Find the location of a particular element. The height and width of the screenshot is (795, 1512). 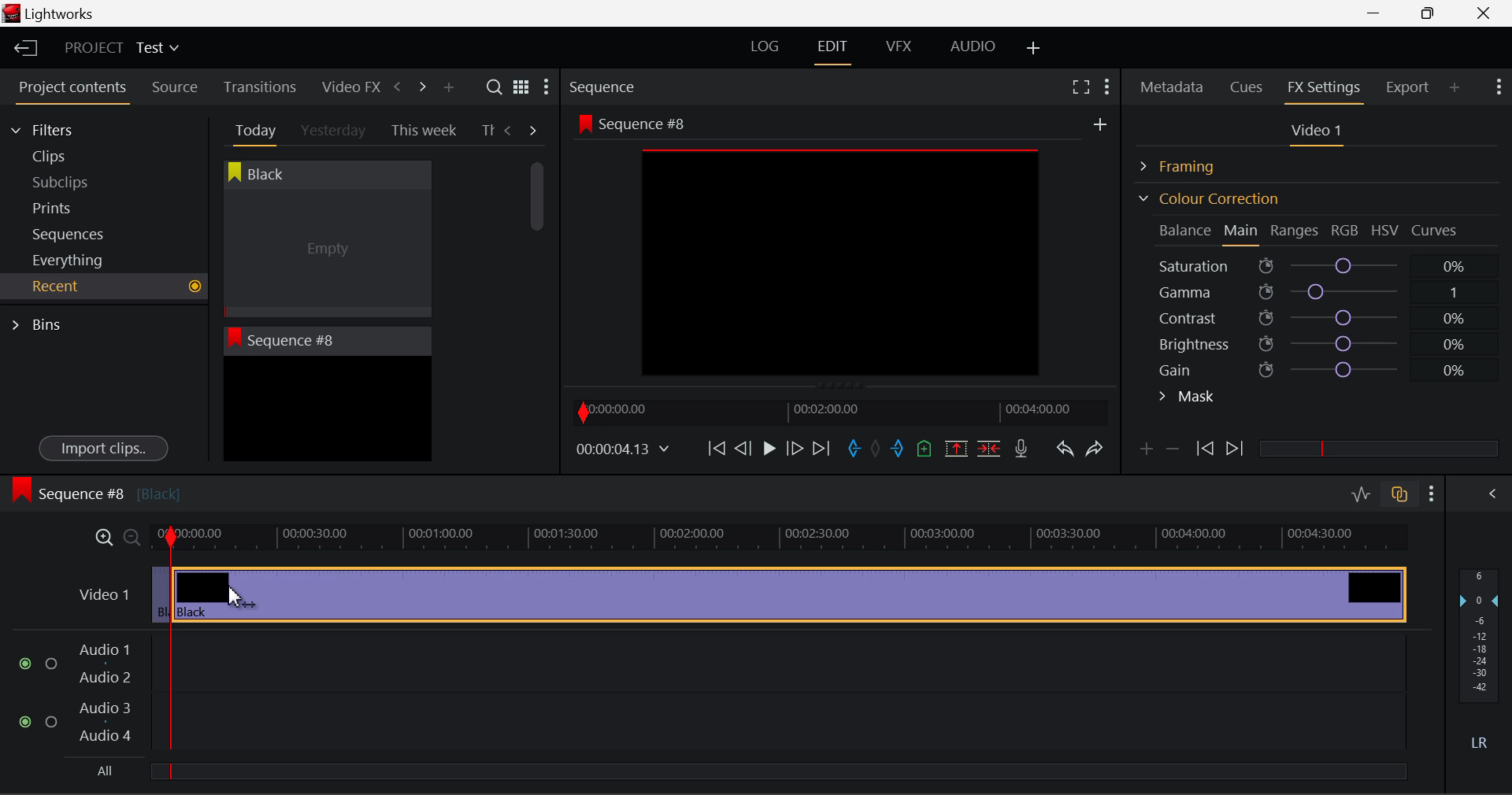

Audio Input Fields is located at coordinates (712, 694).